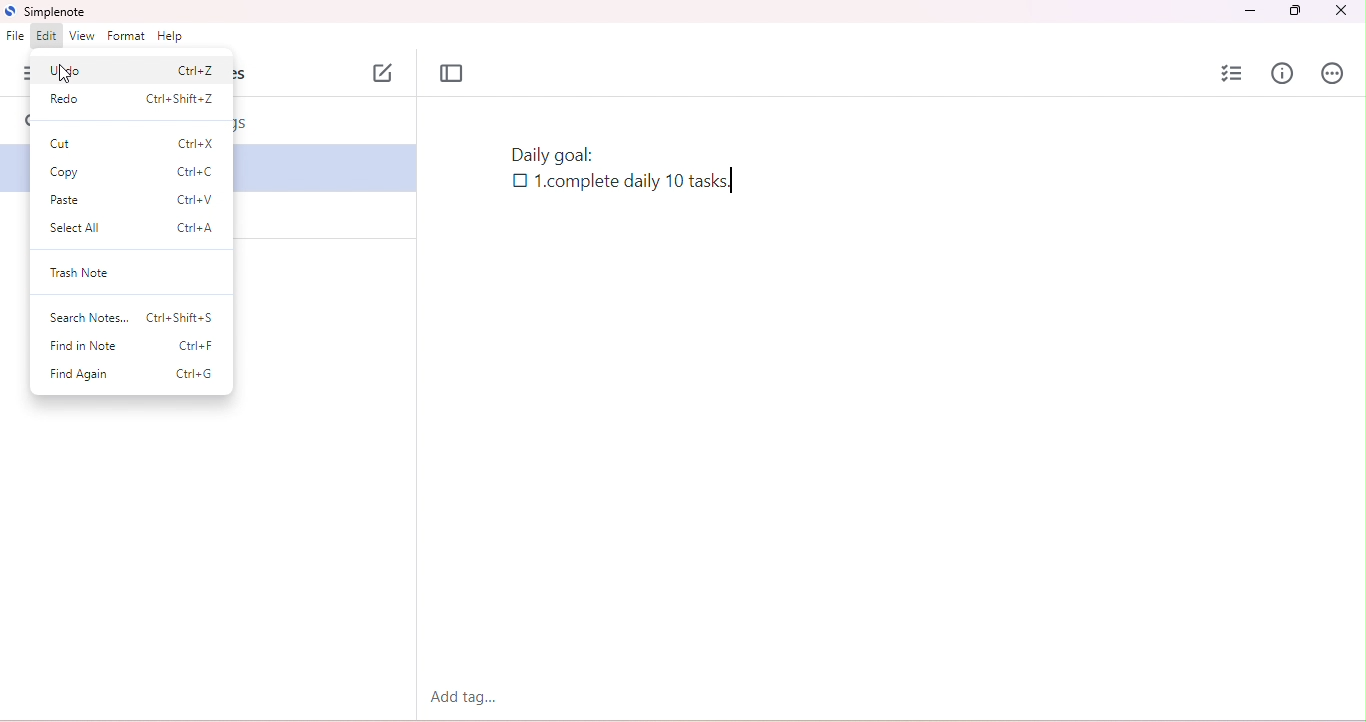 The height and width of the screenshot is (722, 1366). Describe the element at coordinates (82, 36) in the screenshot. I see `view` at that location.